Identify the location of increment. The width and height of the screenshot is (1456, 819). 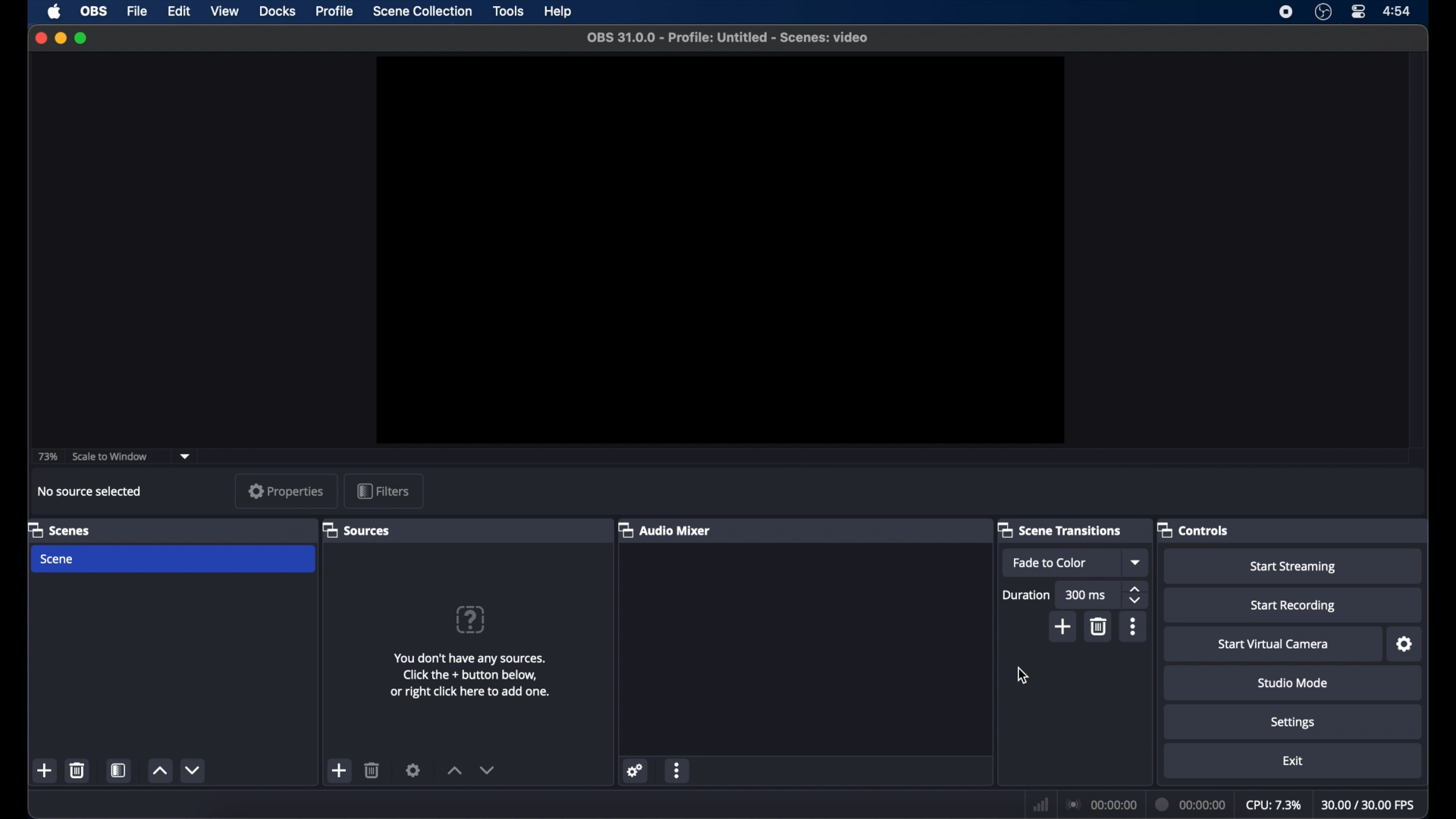
(454, 770).